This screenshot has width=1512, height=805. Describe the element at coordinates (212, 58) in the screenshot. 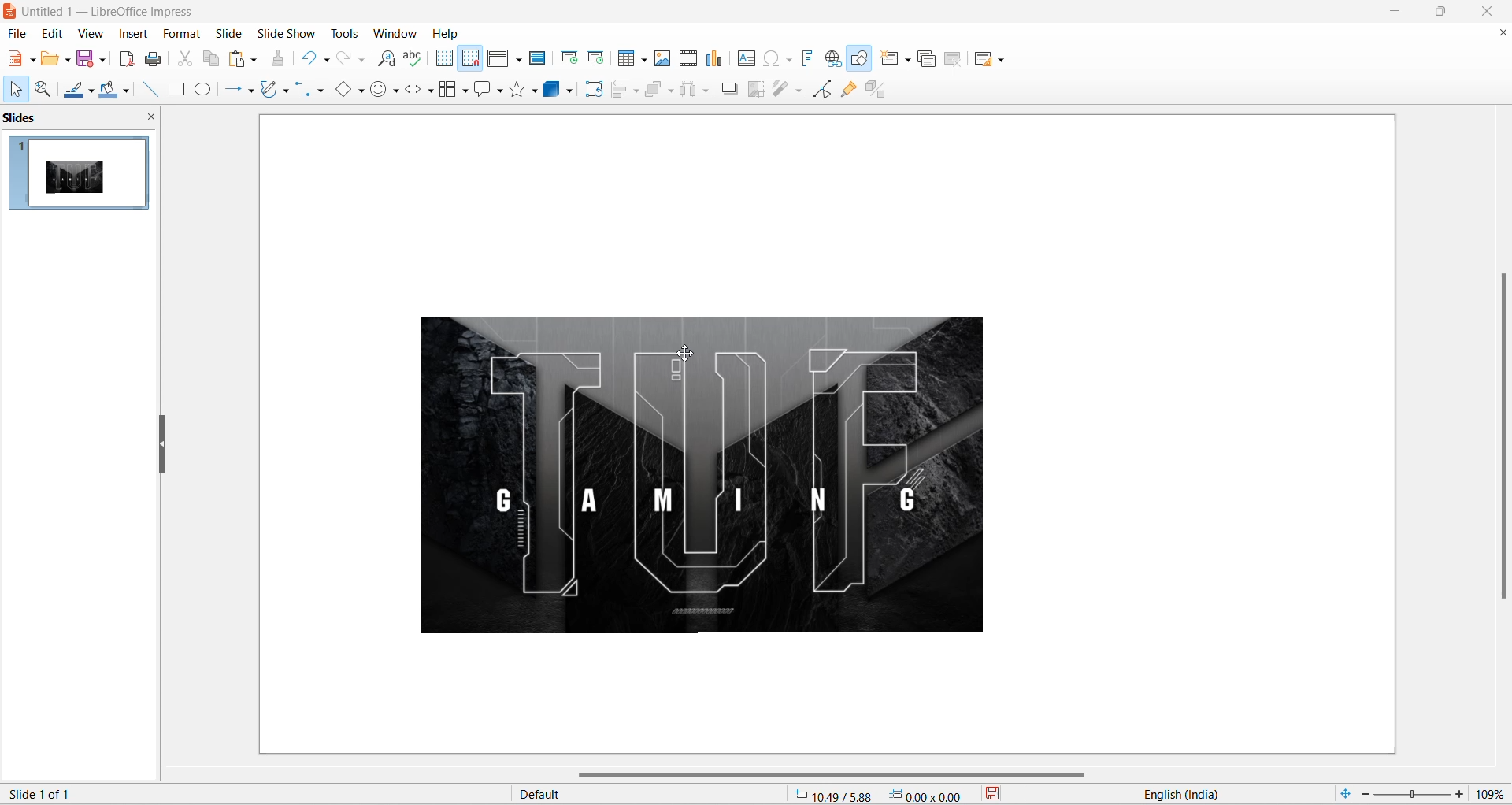

I see `copy` at that location.